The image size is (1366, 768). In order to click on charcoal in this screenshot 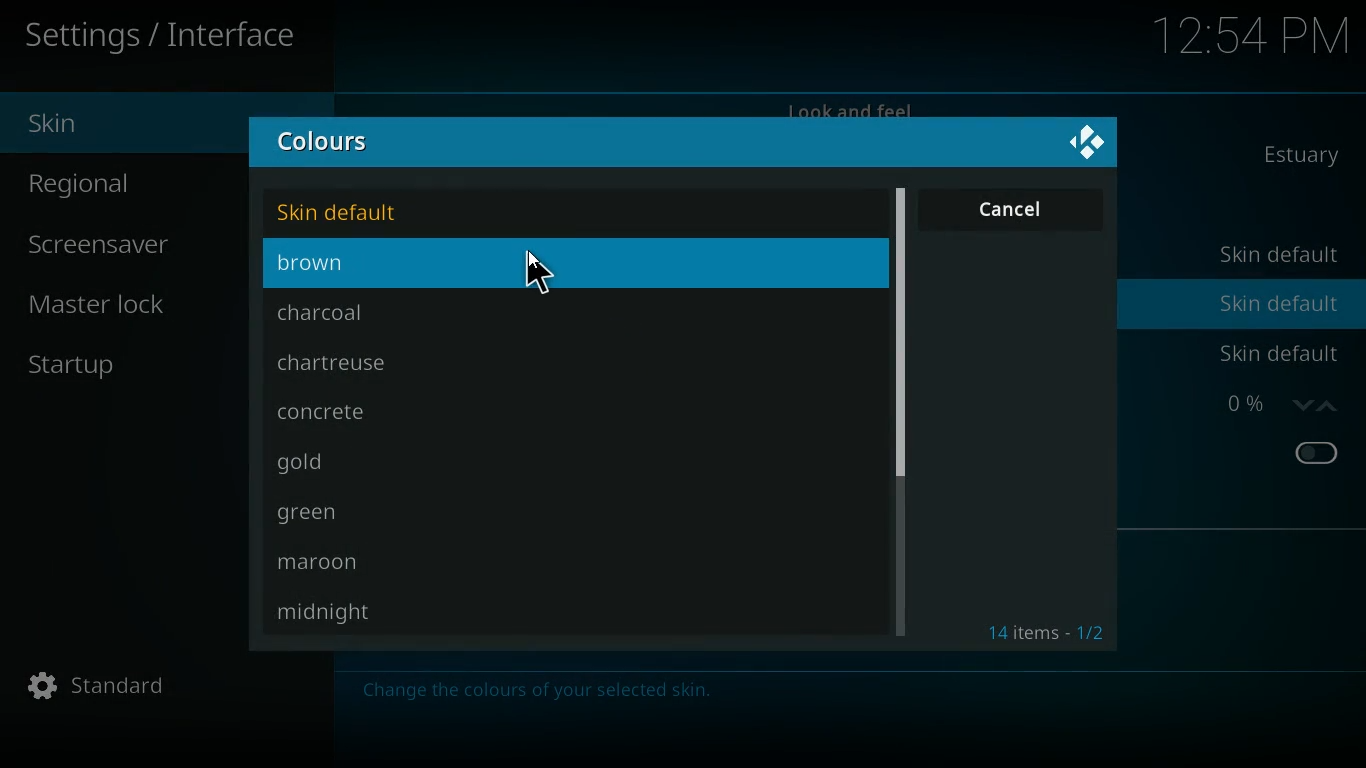, I will do `click(371, 312)`.